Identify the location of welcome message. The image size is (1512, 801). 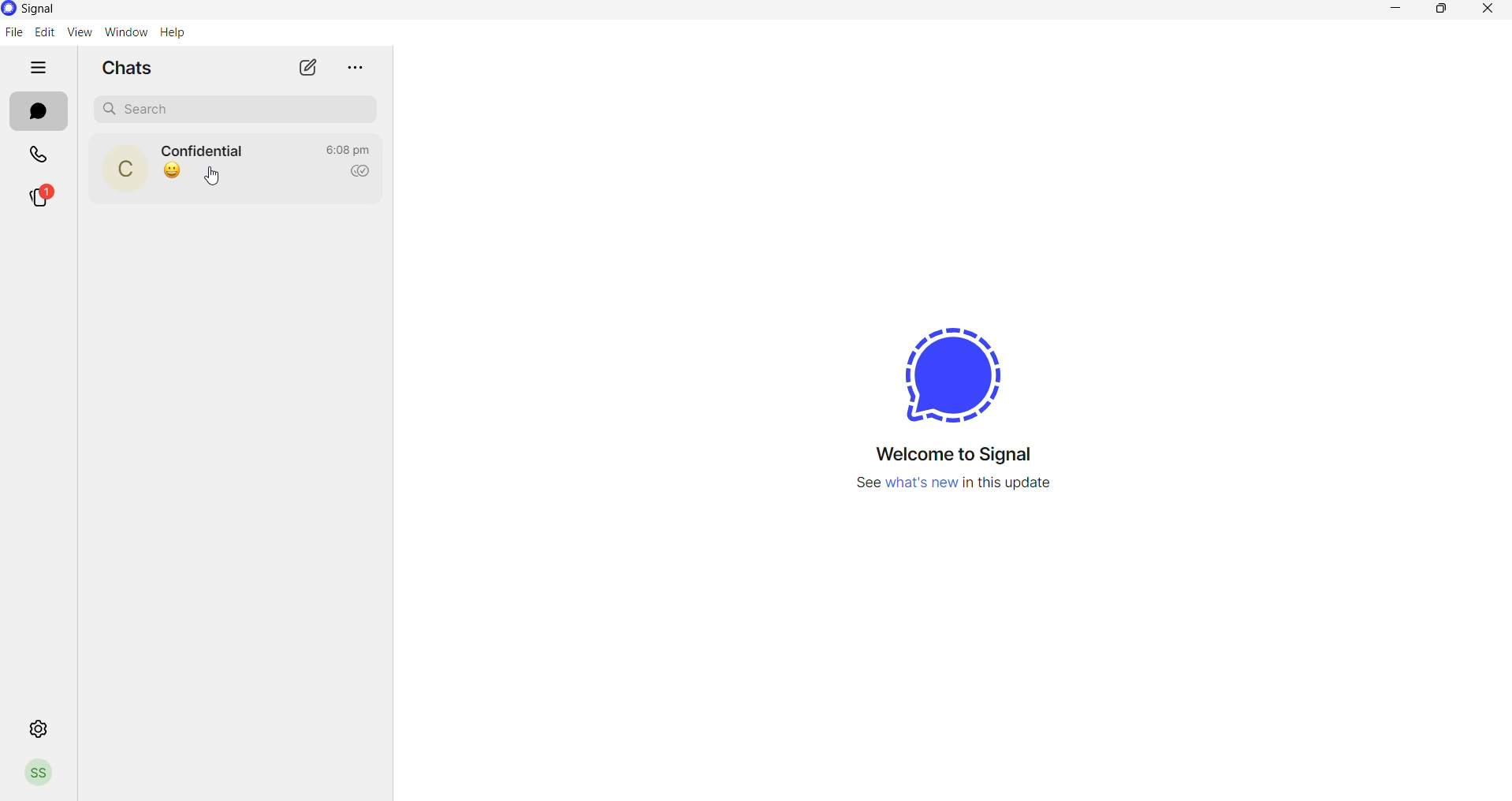
(959, 453).